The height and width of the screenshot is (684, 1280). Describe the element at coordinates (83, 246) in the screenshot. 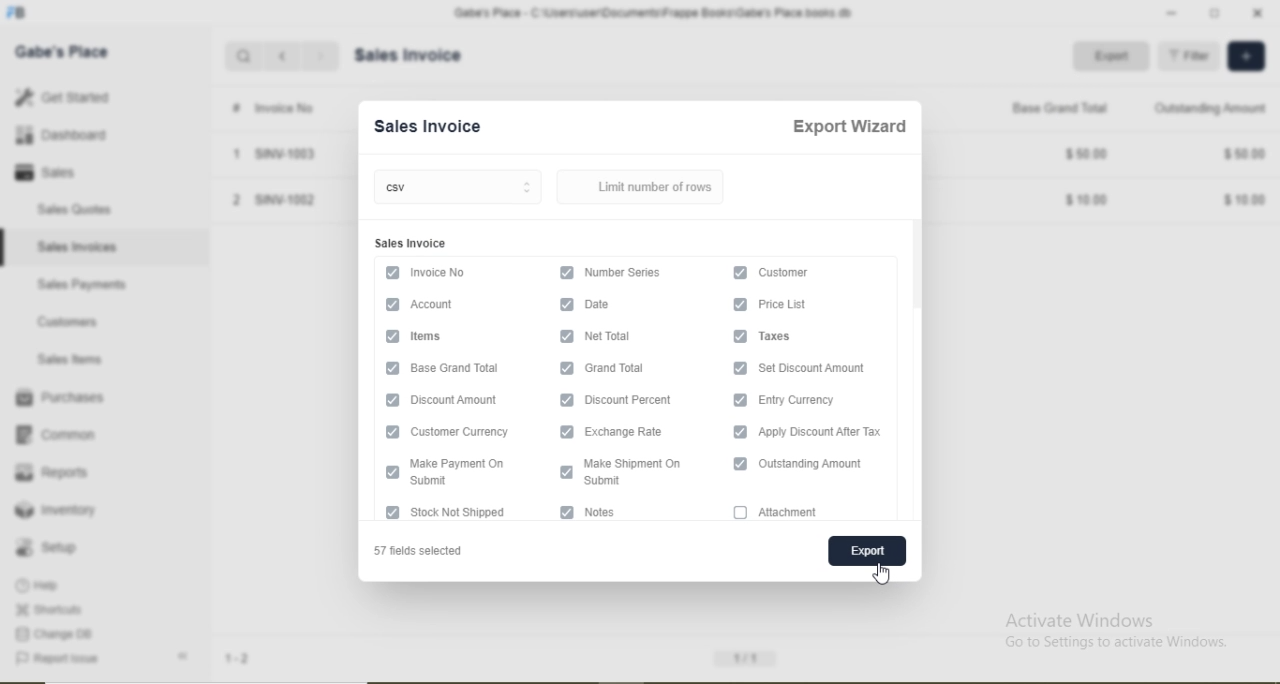

I see `Sales Invoices` at that location.